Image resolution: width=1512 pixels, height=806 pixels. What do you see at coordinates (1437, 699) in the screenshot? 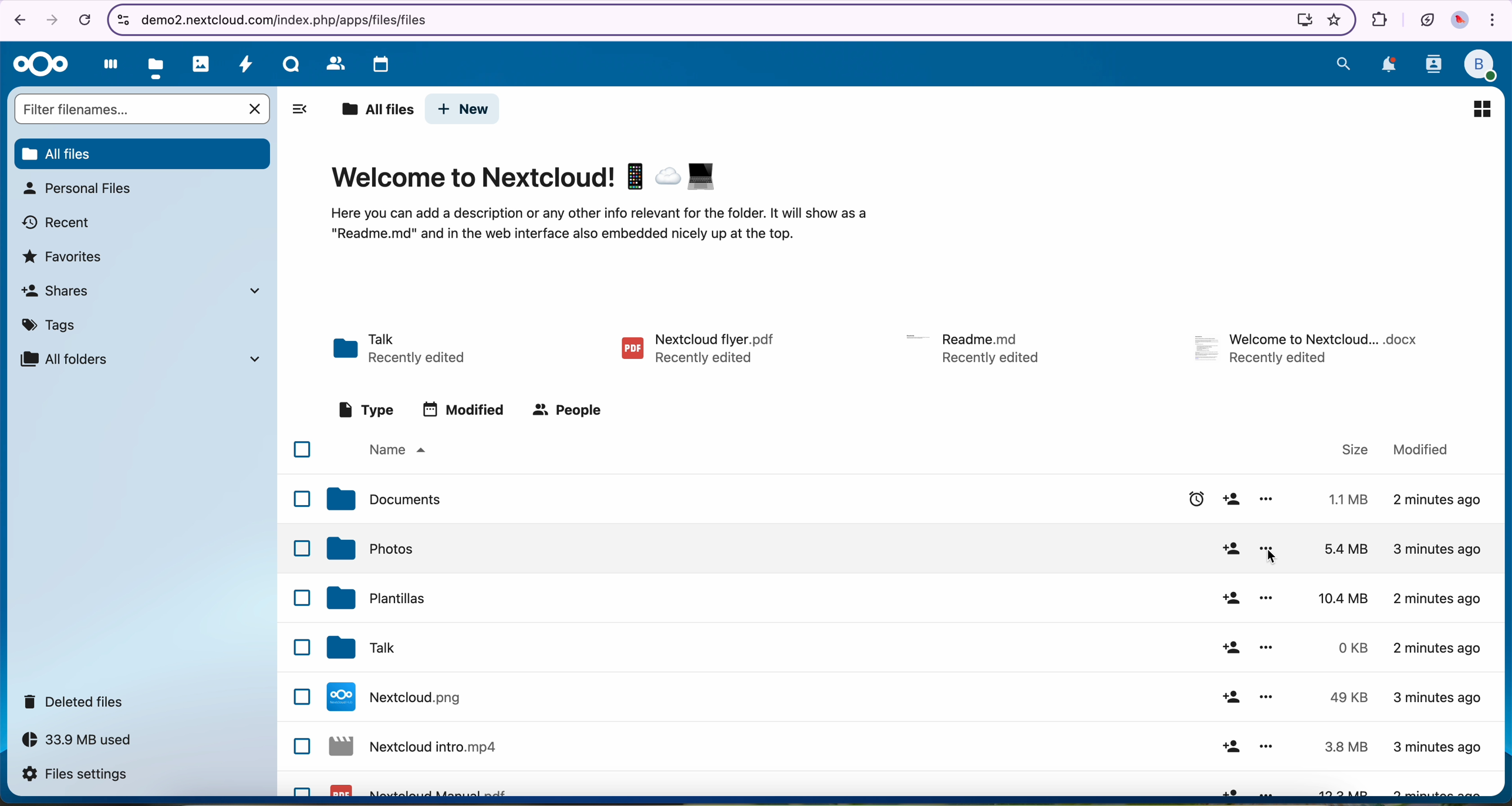
I see `3 minutes ago` at bounding box center [1437, 699].